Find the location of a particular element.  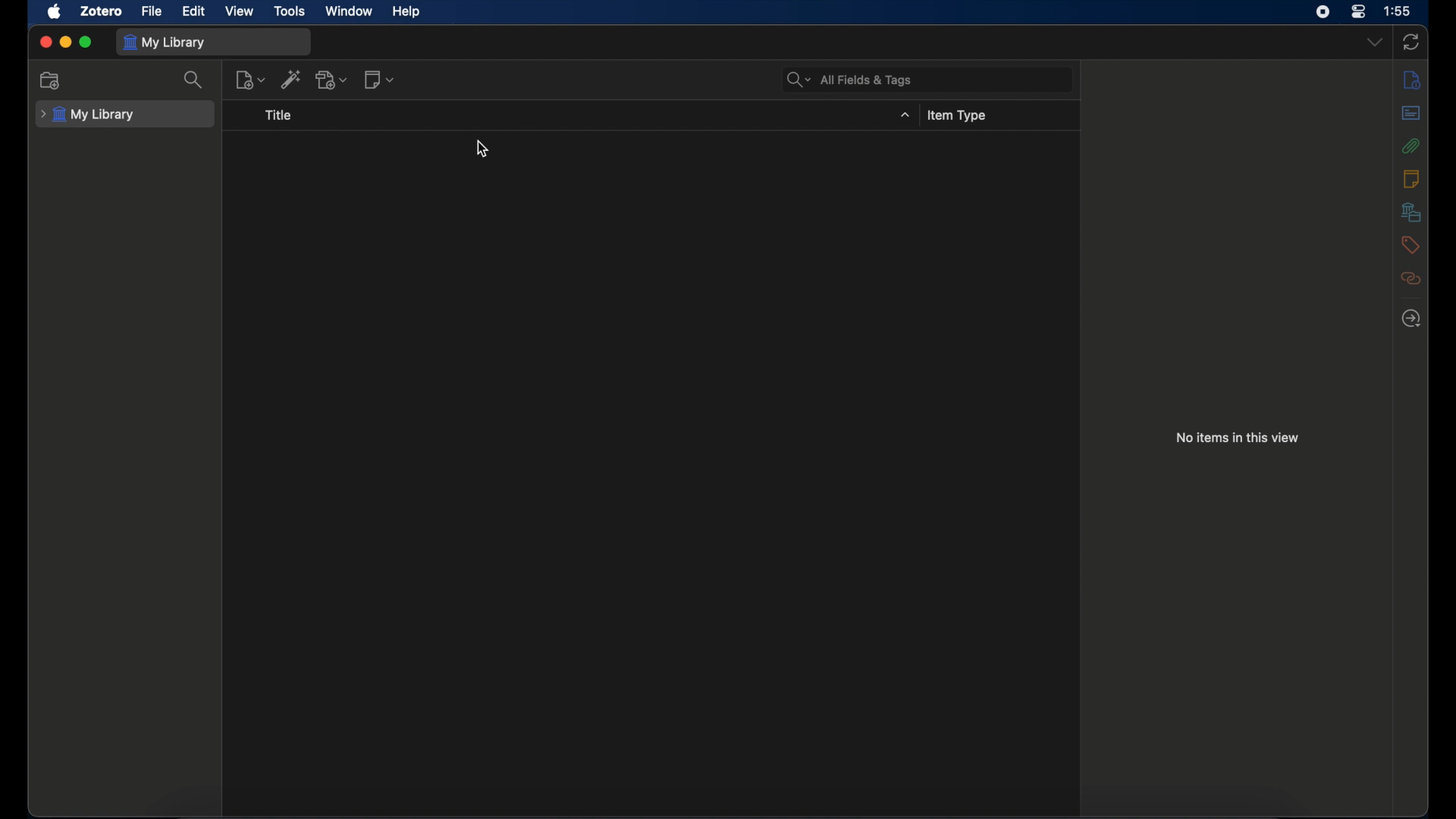

notes is located at coordinates (1412, 179).